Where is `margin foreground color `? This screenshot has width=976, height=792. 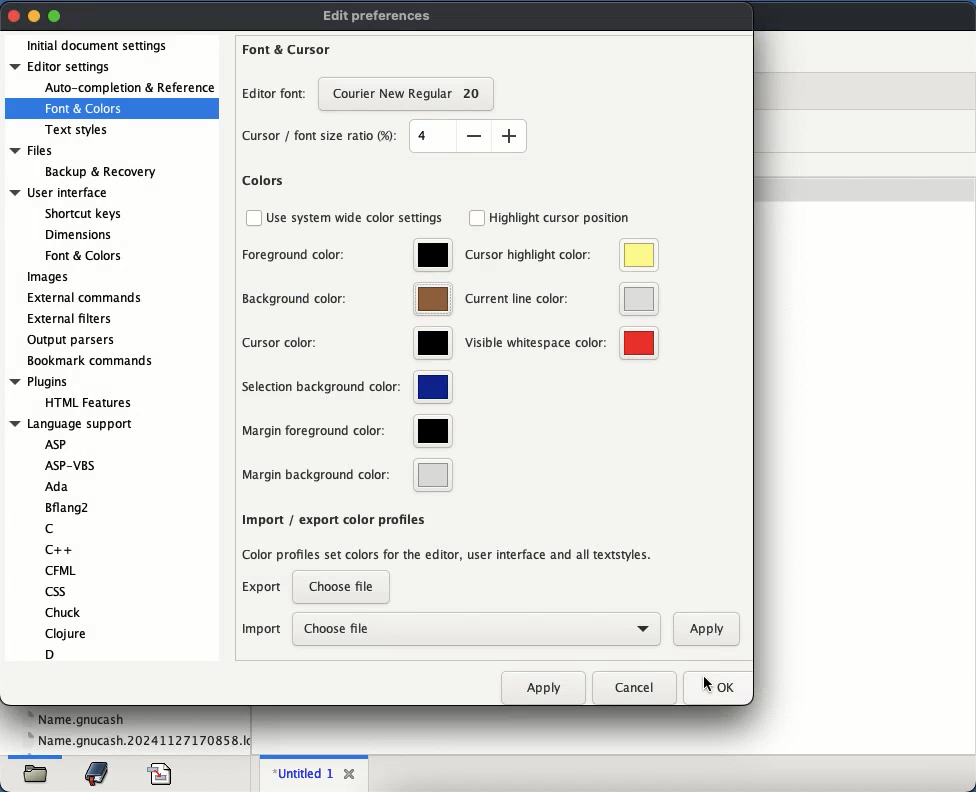
margin foreground color  is located at coordinates (349, 433).